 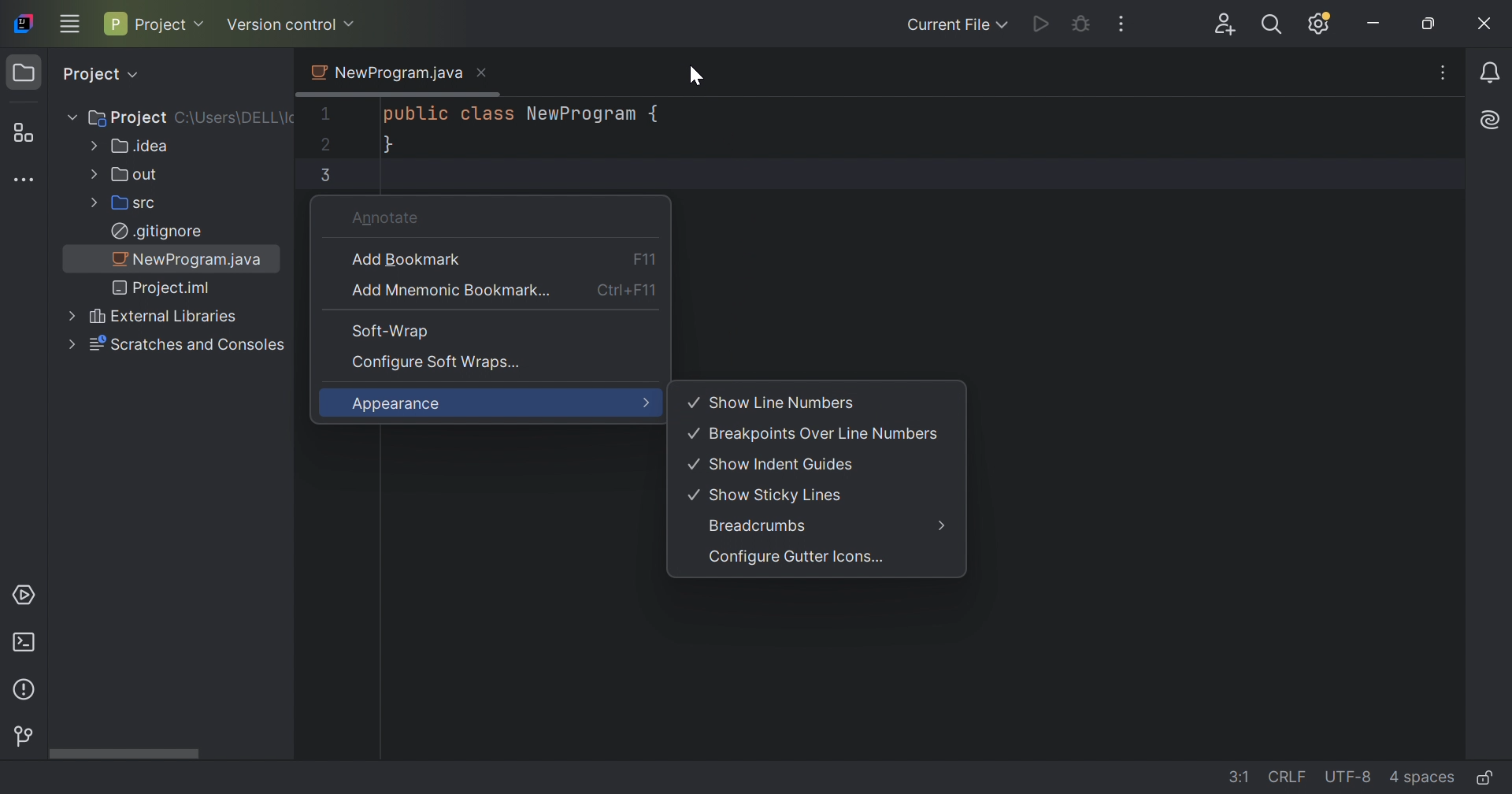 I want to click on Search everywhere, so click(x=1270, y=27).